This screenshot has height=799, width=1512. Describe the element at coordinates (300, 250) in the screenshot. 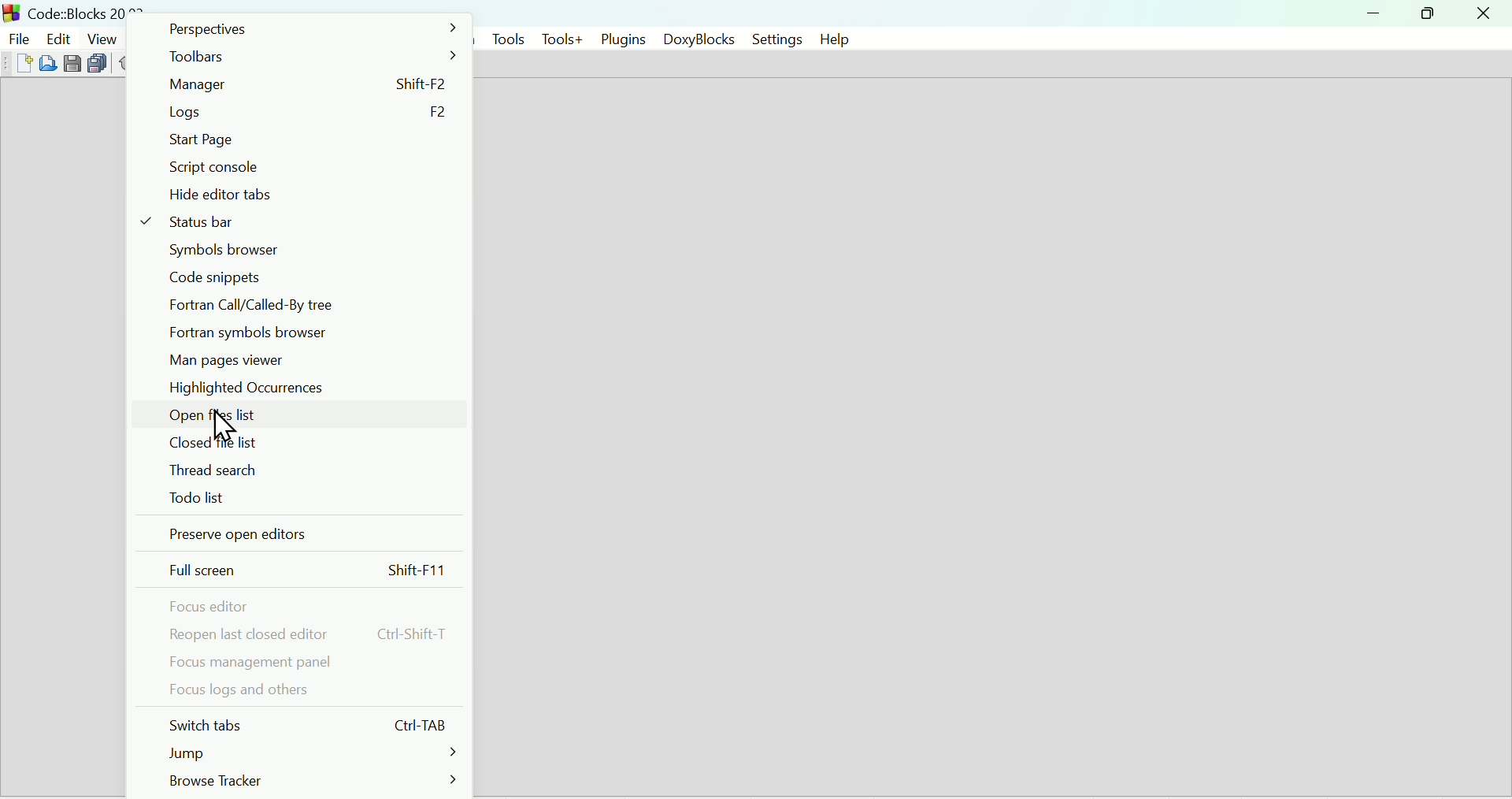

I see `Symbol browser` at that location.